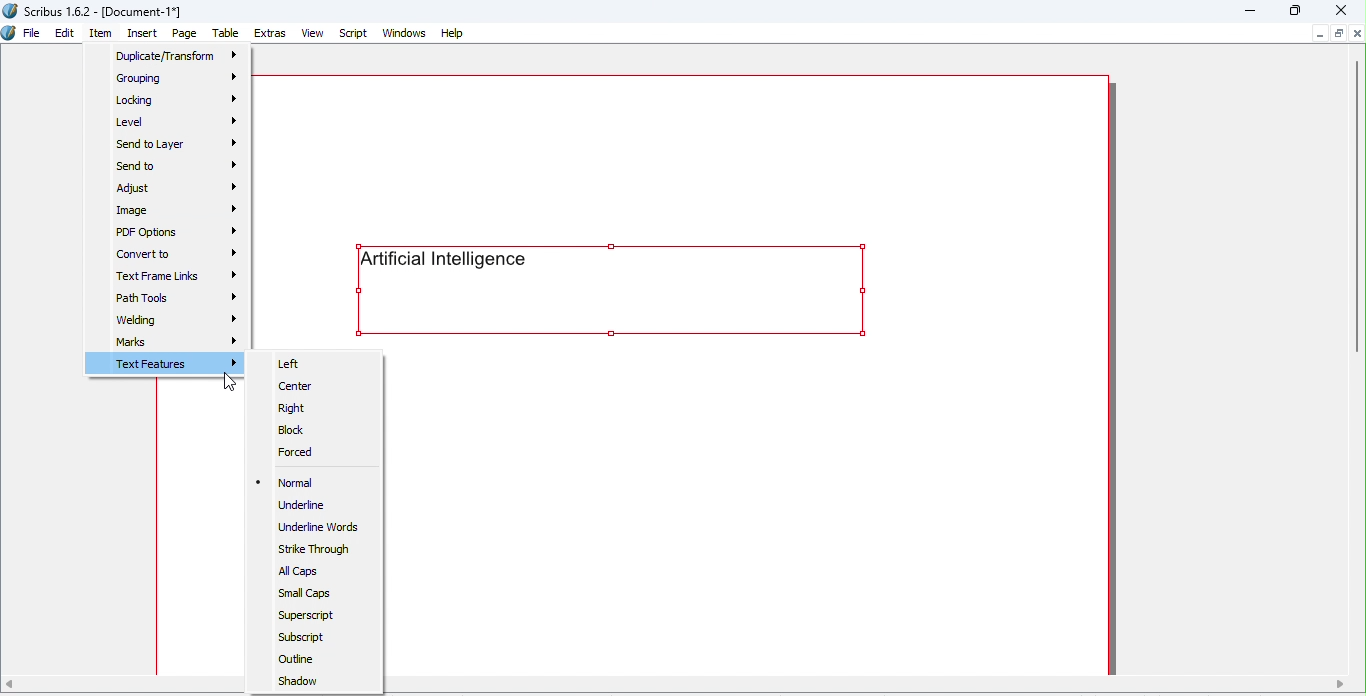  What do you see at coordinates (179, 143) in the screenshot?
I see `Send to layer` at bounding box center [179, 143].